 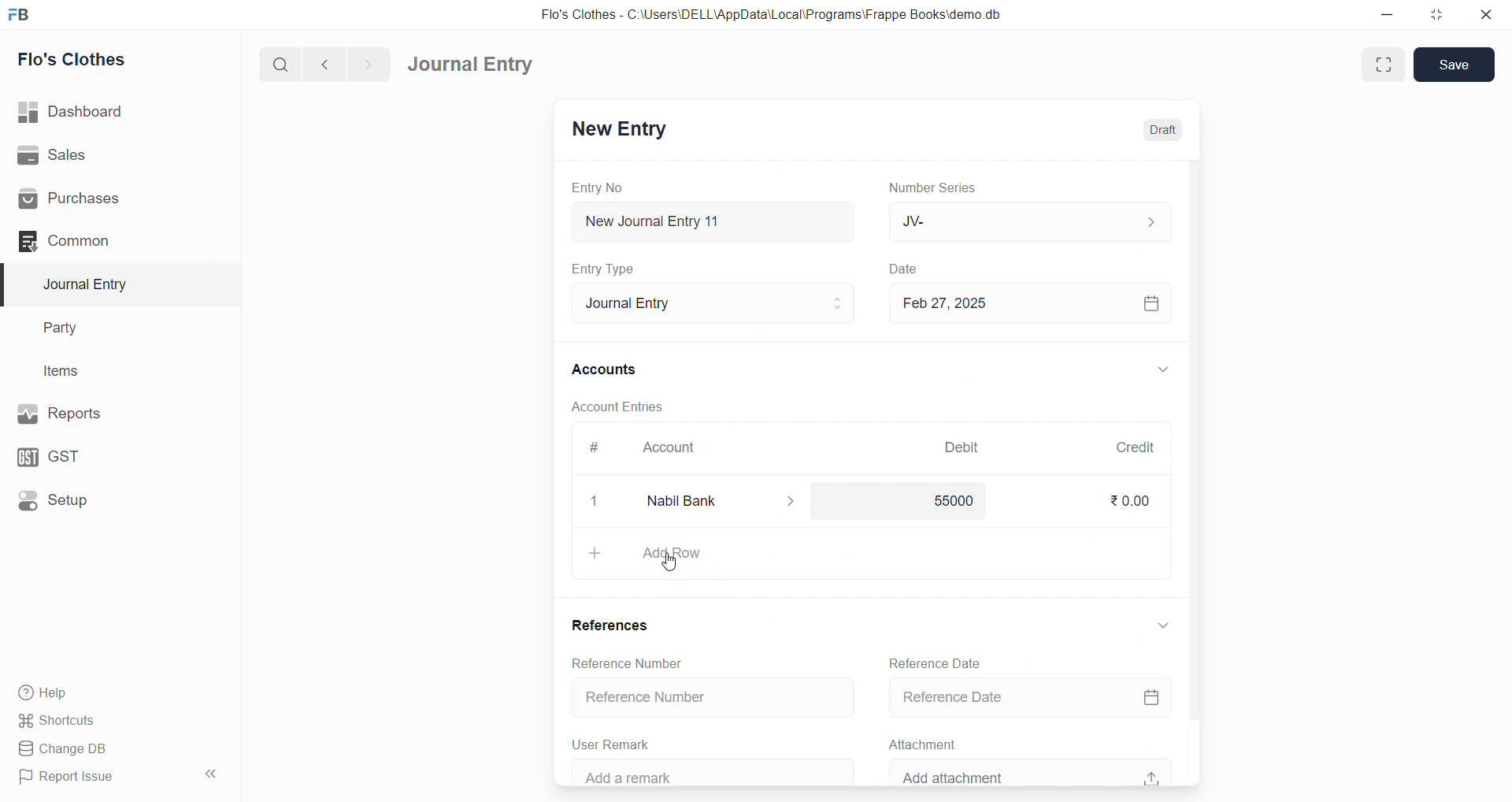 What do you see at coordinates (624, 664) in the screenshot?
I see `Reference Number` at bounding box center [624, 664].